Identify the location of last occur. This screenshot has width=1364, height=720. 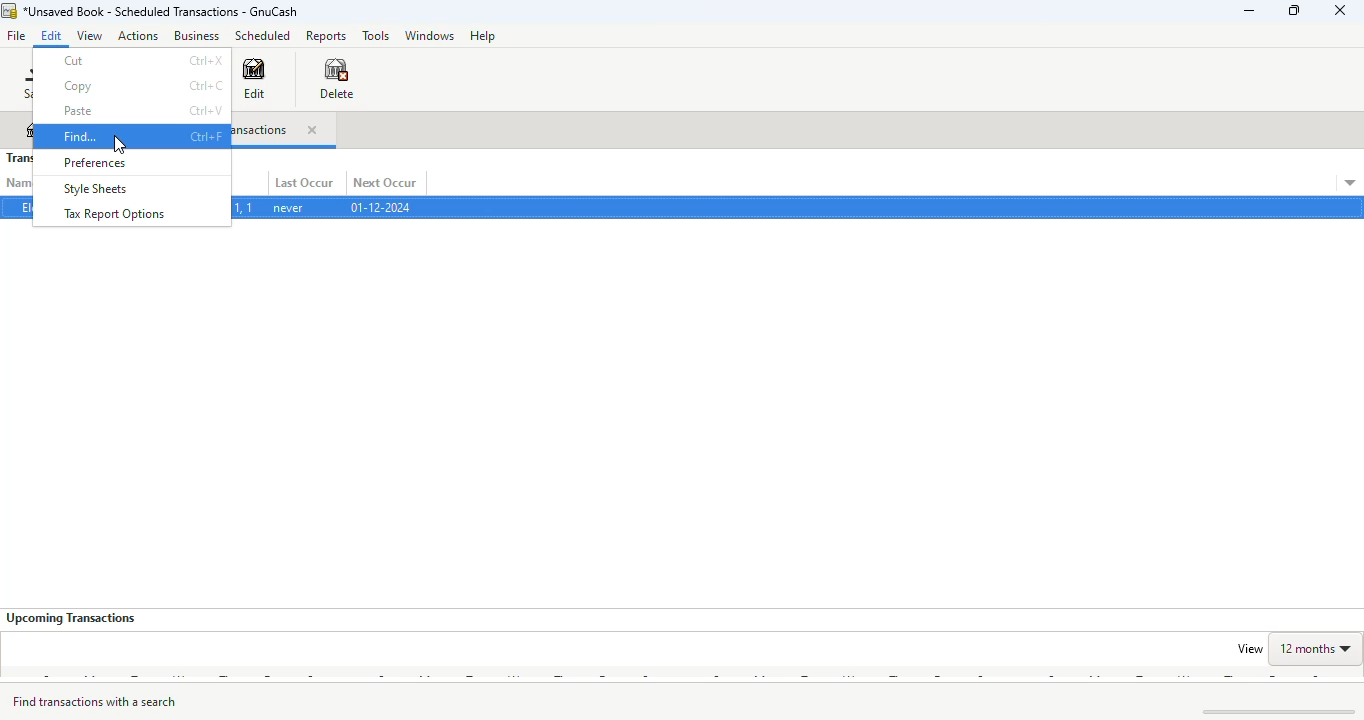
(303, 183).